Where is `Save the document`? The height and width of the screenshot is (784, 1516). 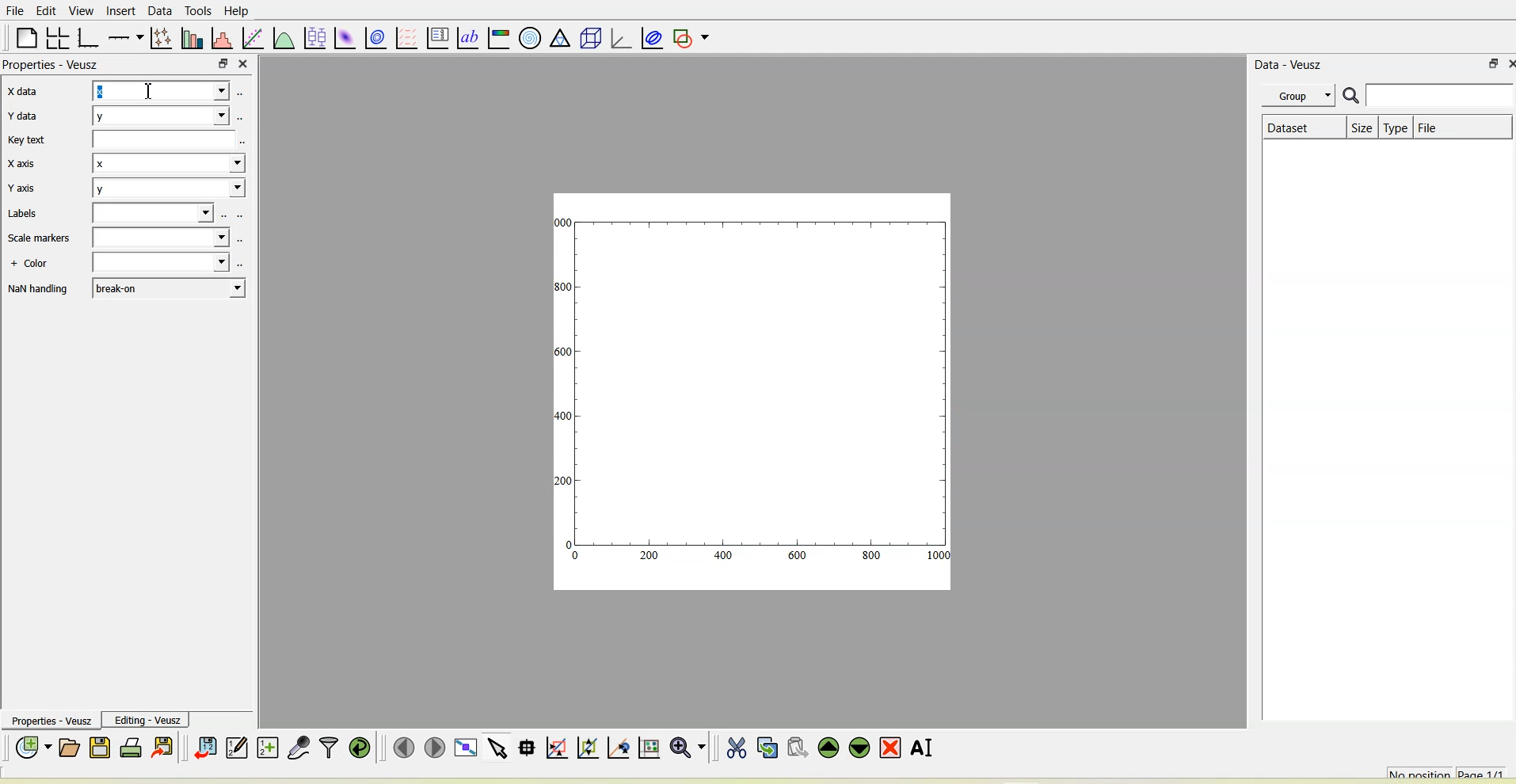
Save the document is located at coordinates (101, 748).